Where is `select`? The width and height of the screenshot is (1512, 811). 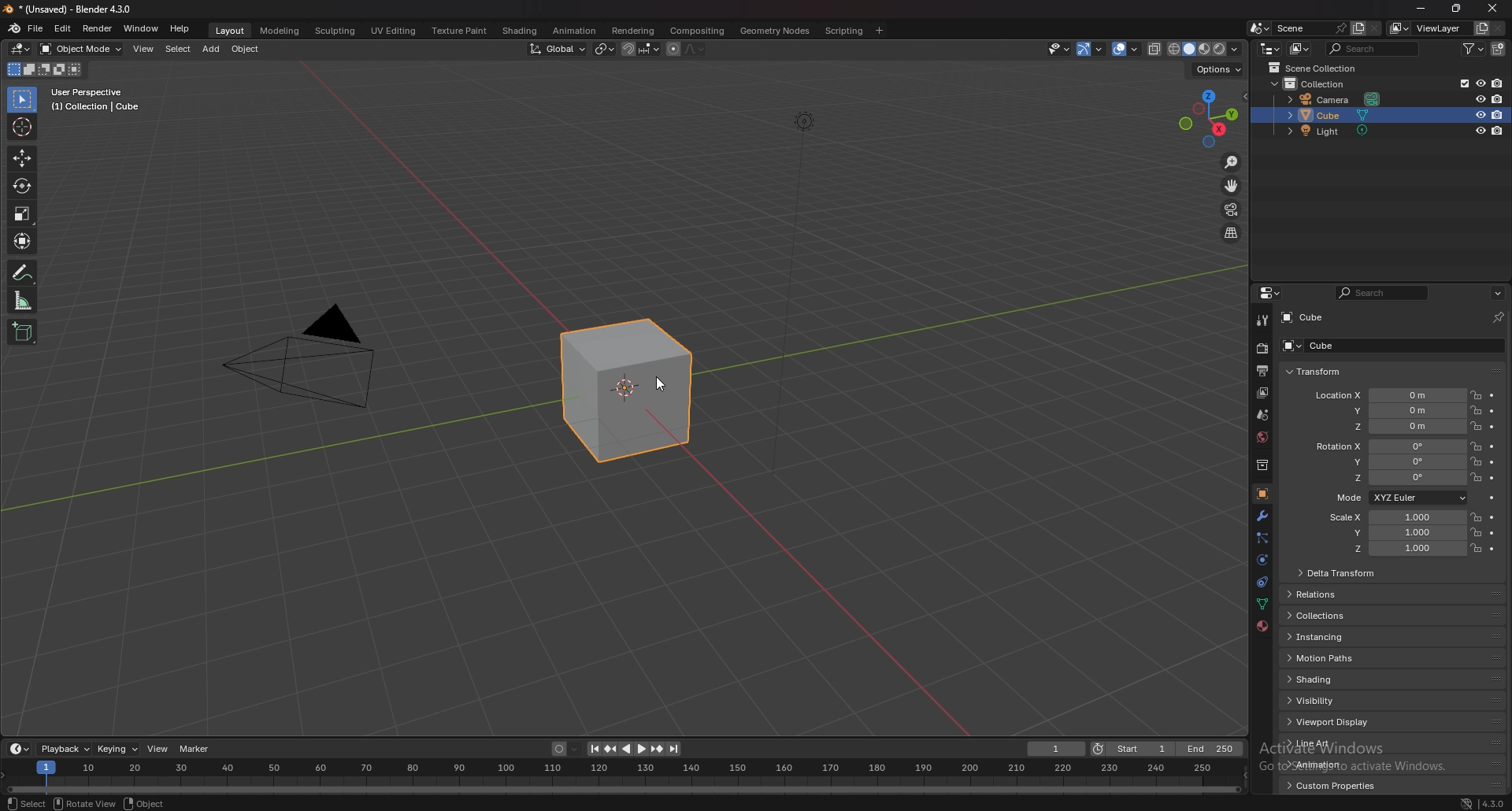 select is located at coordinates (22, 802).